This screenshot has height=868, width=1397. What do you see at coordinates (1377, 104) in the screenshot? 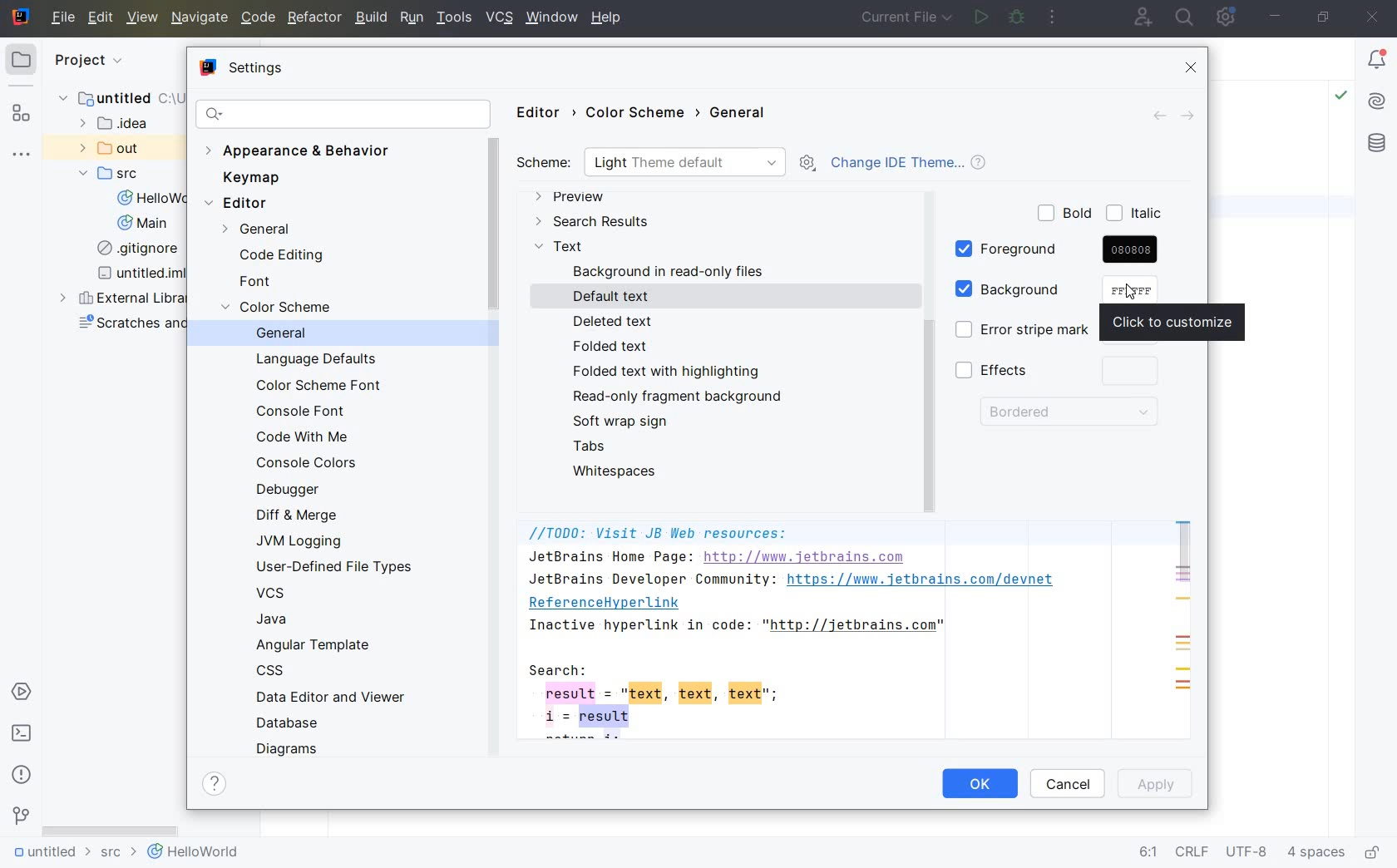
I see `AI Assistant` at bounding box center [1377, 104].